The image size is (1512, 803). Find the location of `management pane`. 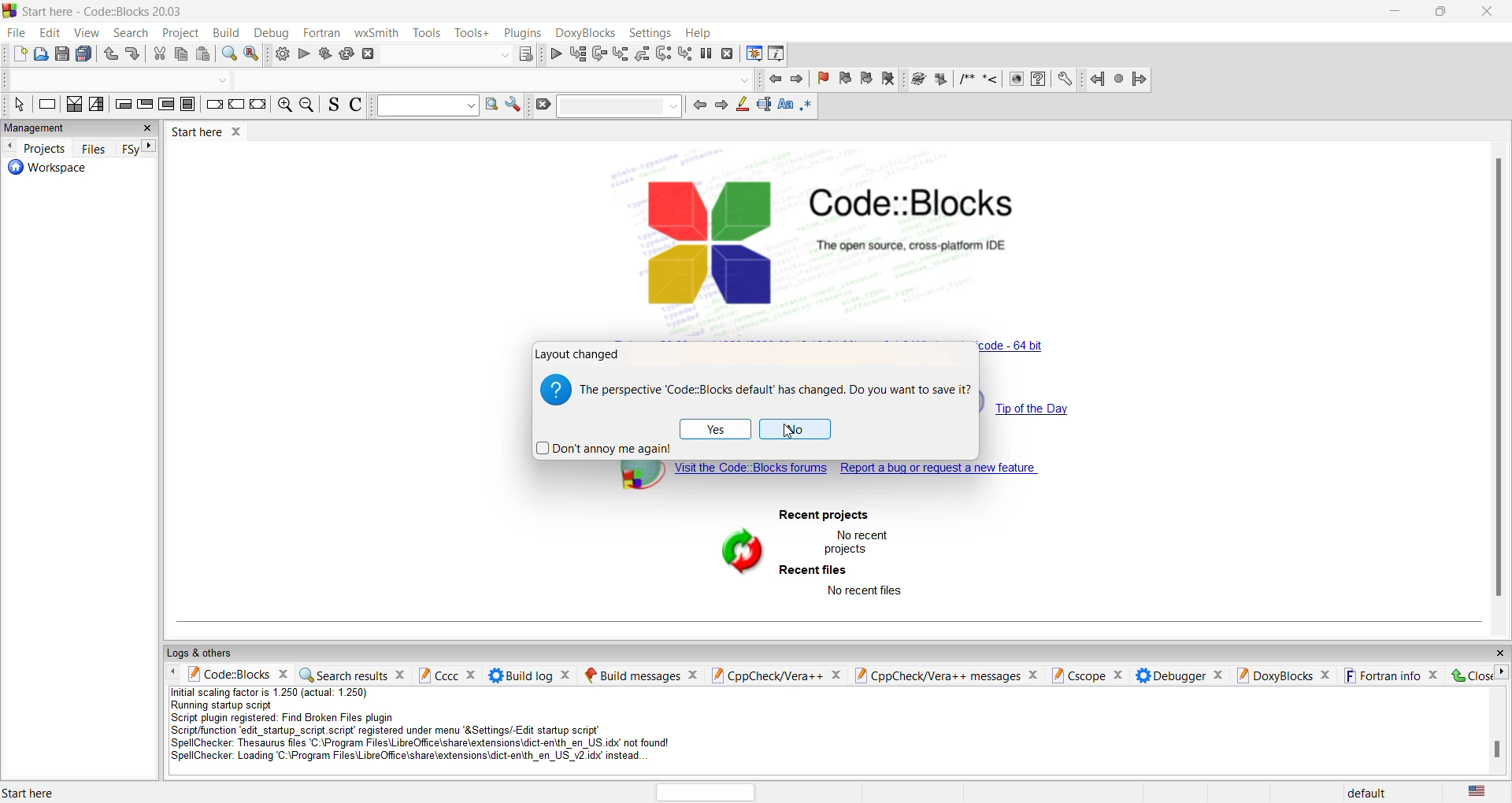

management pane is located at coordinates (83, 128).